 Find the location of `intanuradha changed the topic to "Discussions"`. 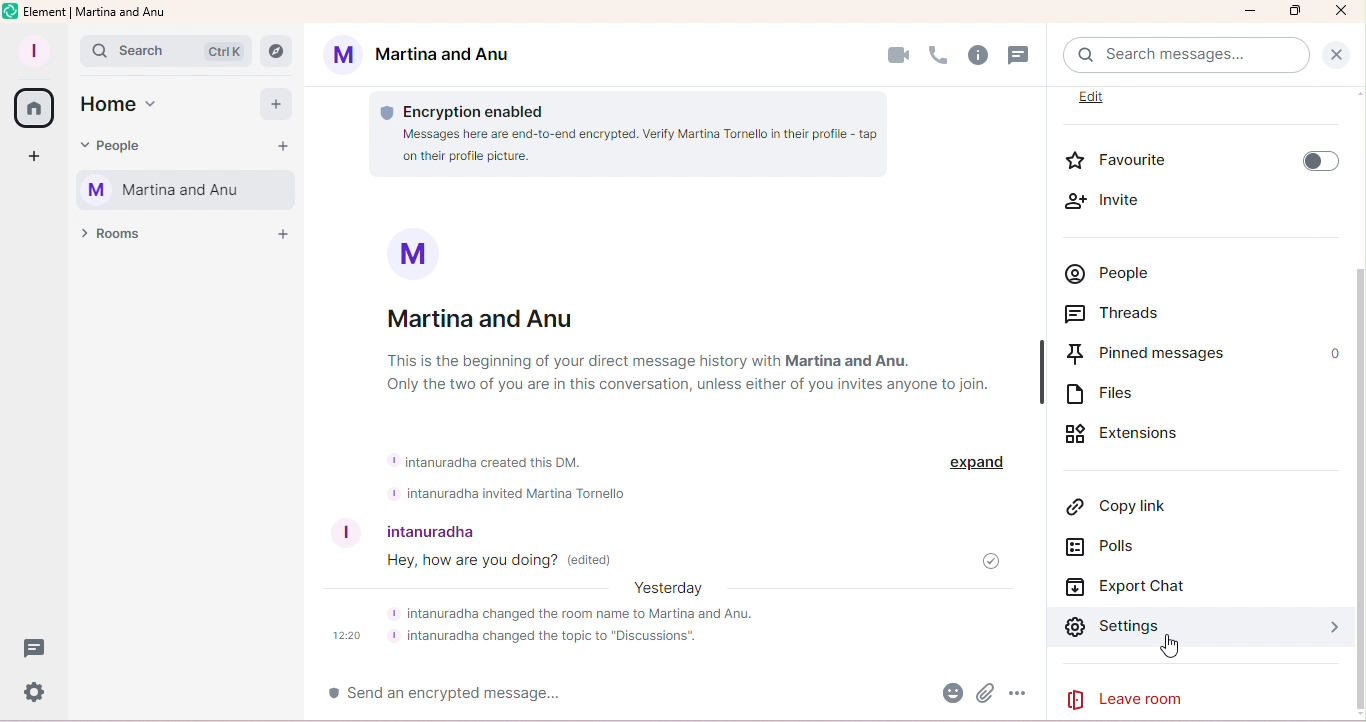

intanuradha changed the topic to "Discussions" is located at coordinates (549, 638).